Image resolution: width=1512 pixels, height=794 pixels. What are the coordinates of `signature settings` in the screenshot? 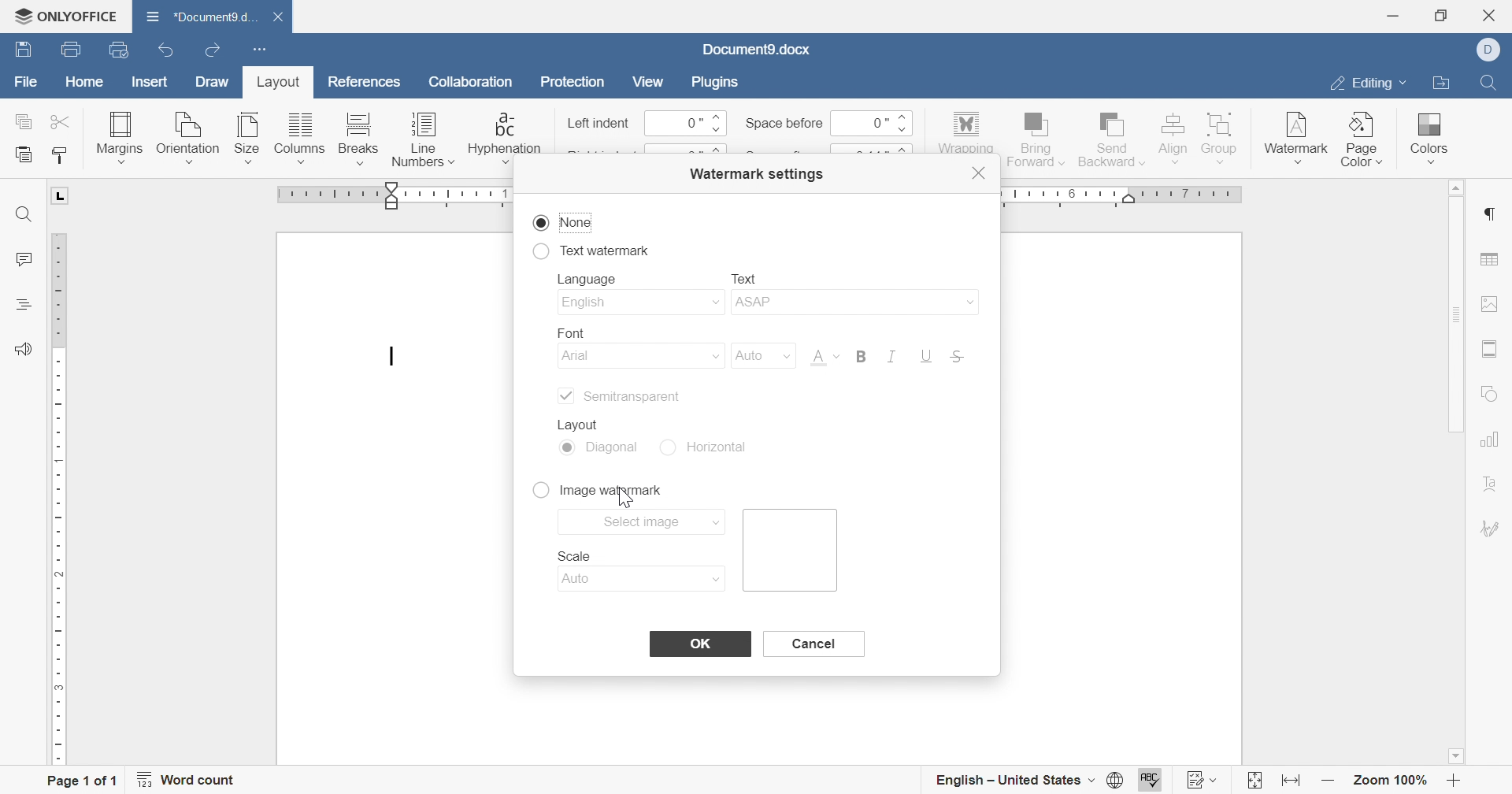 It's located at (1492, 529).